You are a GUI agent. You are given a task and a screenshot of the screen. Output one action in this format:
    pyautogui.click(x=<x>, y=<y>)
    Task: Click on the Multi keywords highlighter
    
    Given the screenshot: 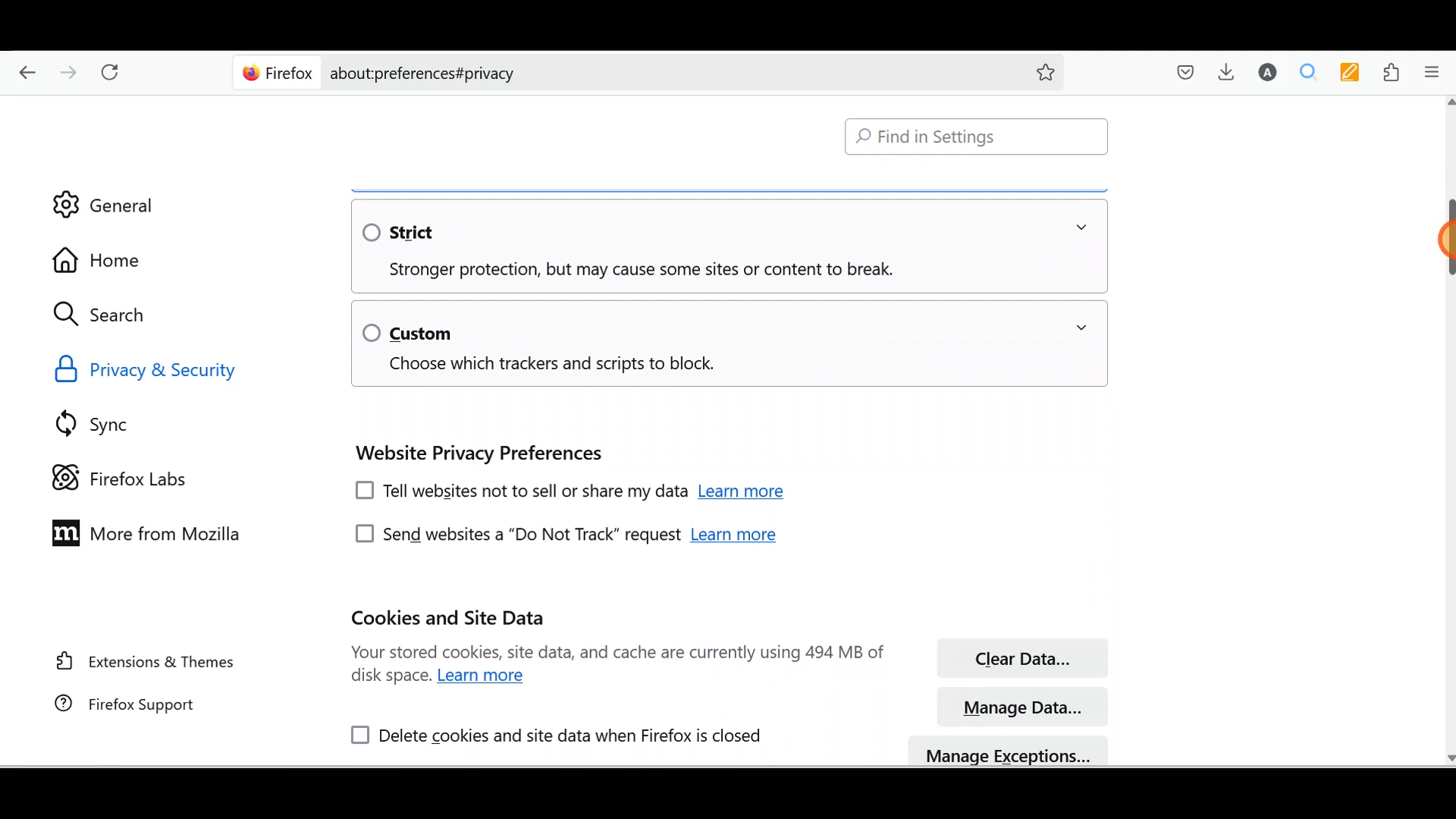 What is the action you would take?
    pyautogui.click(x=1350, y=72)
    